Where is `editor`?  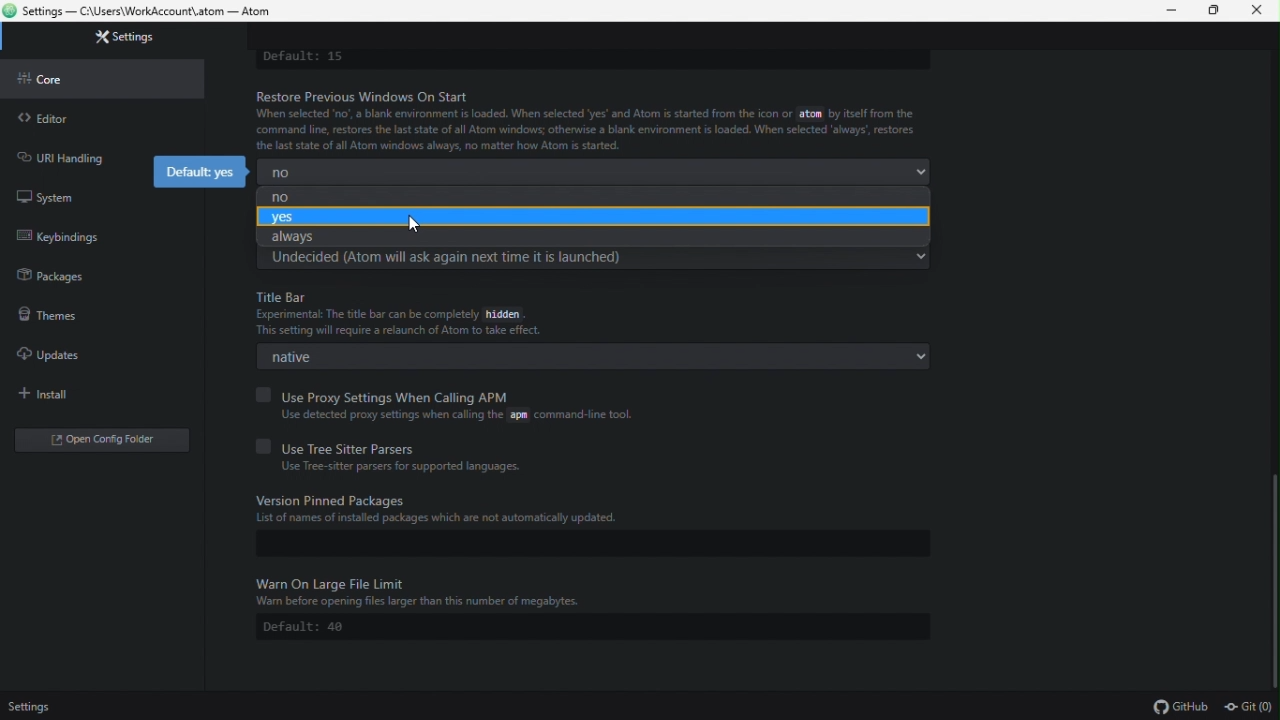
editor is located at coordinates (96, 118).